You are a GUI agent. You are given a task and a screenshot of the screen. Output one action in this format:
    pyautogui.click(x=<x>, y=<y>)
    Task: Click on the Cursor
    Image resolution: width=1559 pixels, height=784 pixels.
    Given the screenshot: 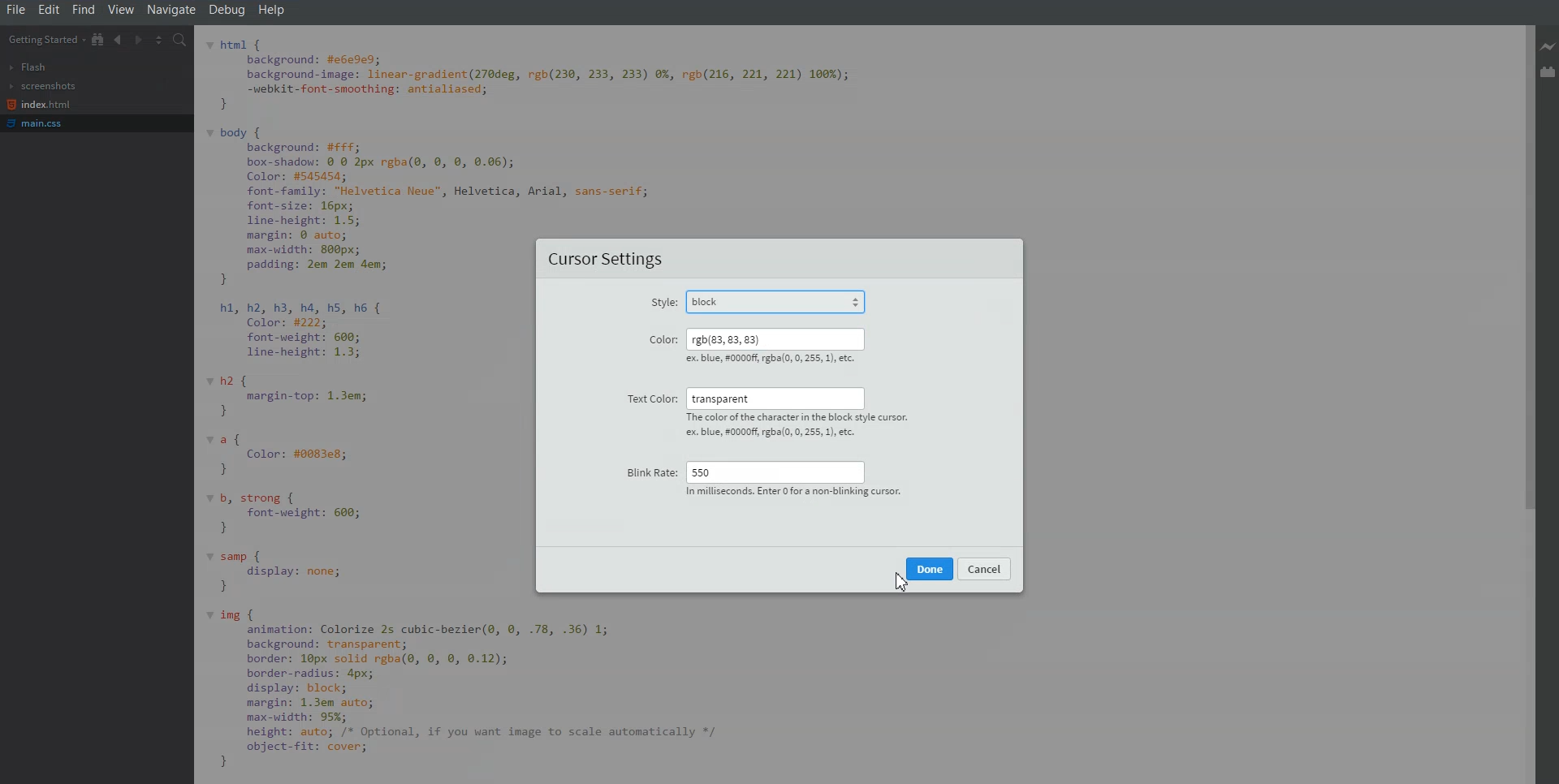 What is the action you would take?
    pyautogui.click(x=901, y=579)
    